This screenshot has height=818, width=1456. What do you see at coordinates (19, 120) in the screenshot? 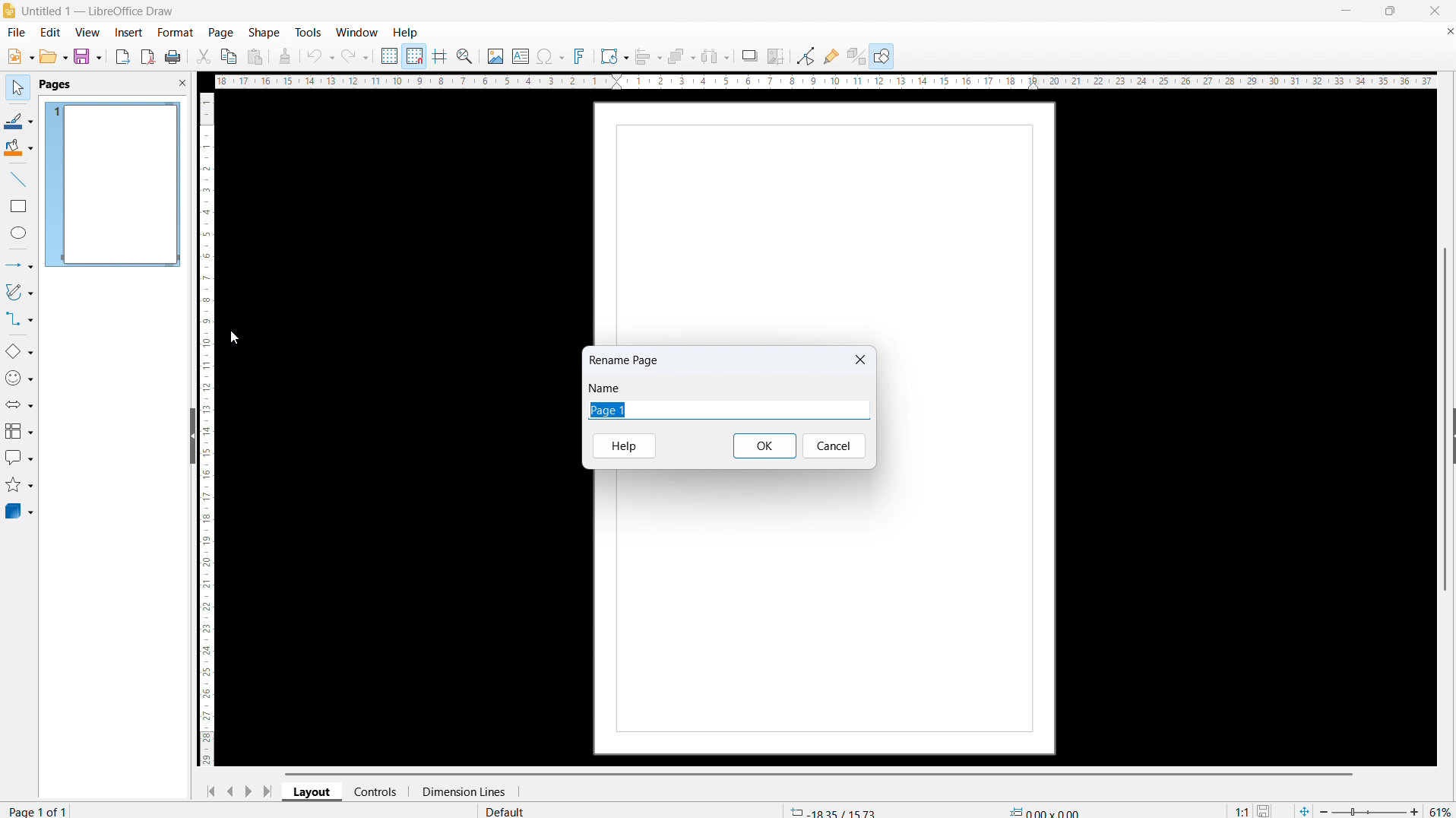
I see `line color` at bounding box center [19, 120].